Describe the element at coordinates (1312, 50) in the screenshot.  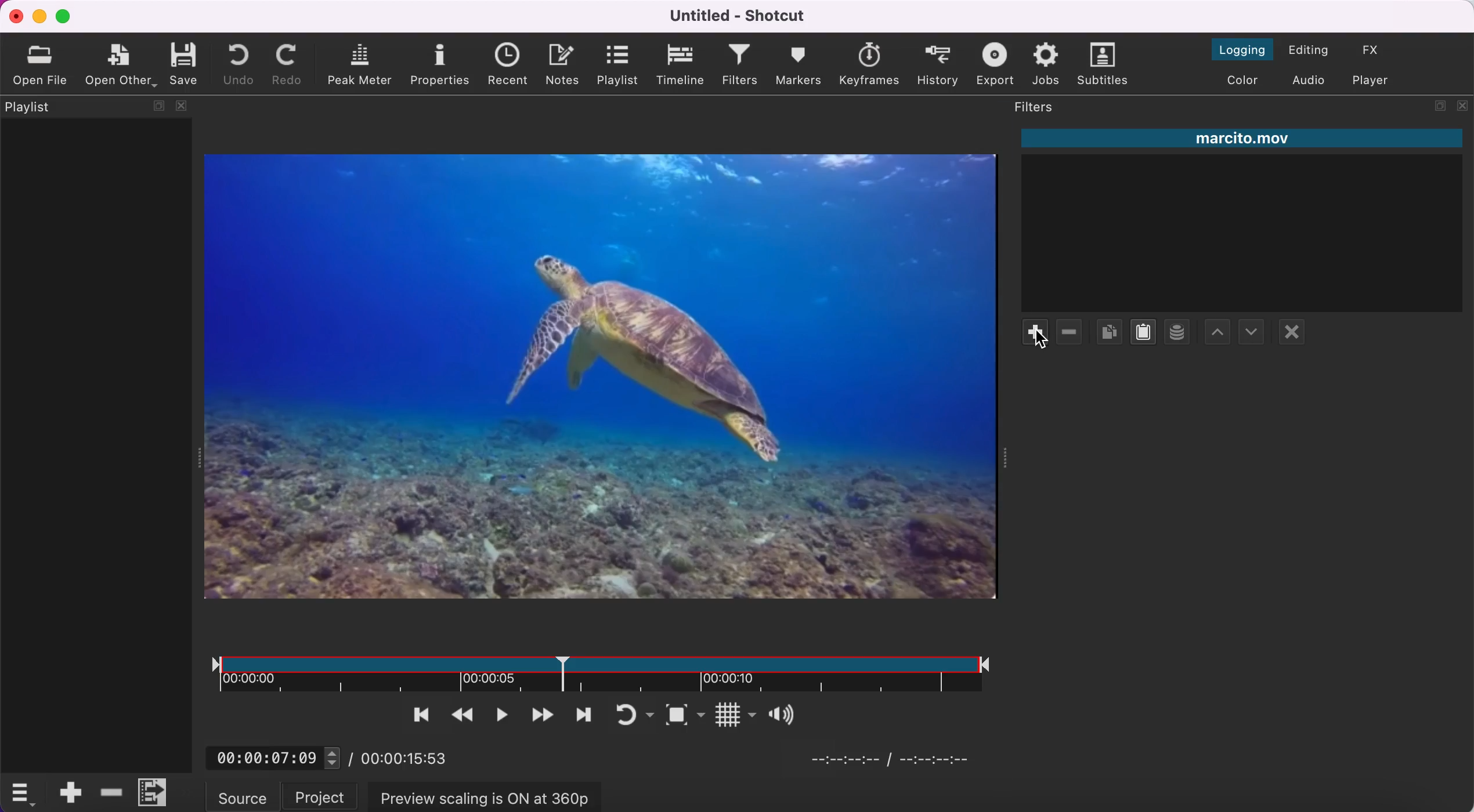
I see `switch to the editing layout` at that location.